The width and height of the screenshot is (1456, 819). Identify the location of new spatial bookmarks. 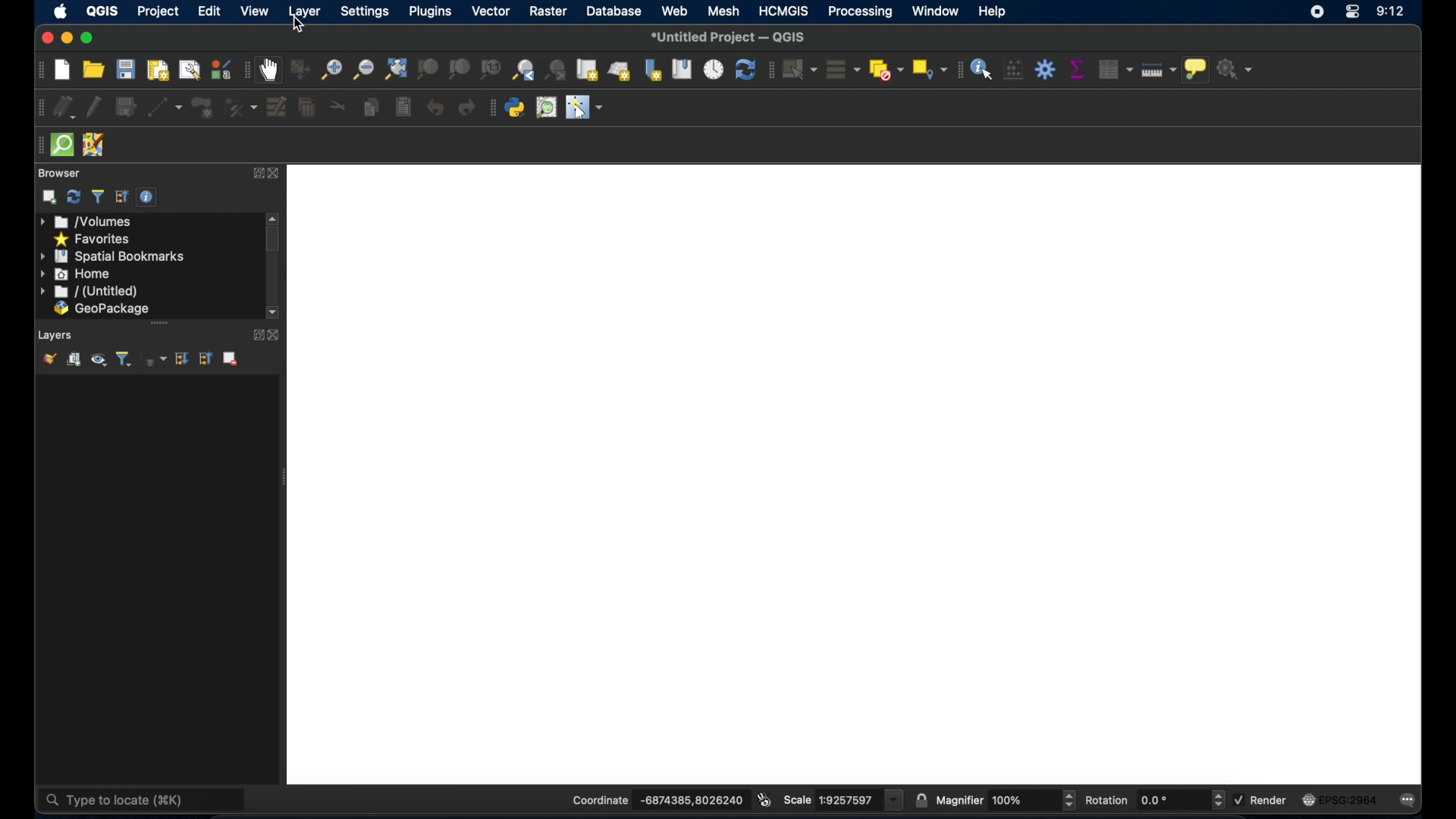
(652, 69).